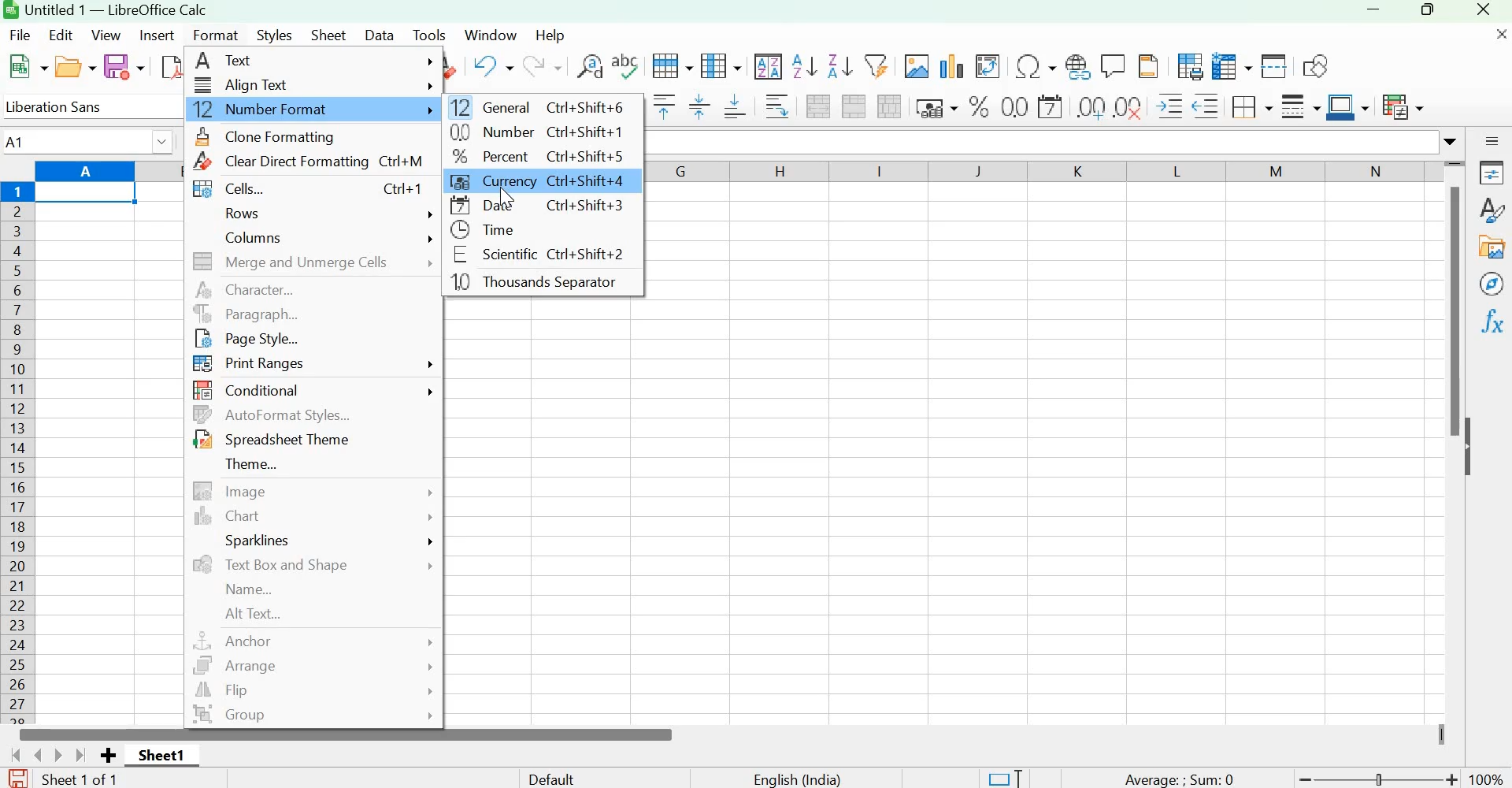  What do you see at coordinates (1050, 106) in the screenshot?
I see `Format as date` at bounding box center [1050, 106].